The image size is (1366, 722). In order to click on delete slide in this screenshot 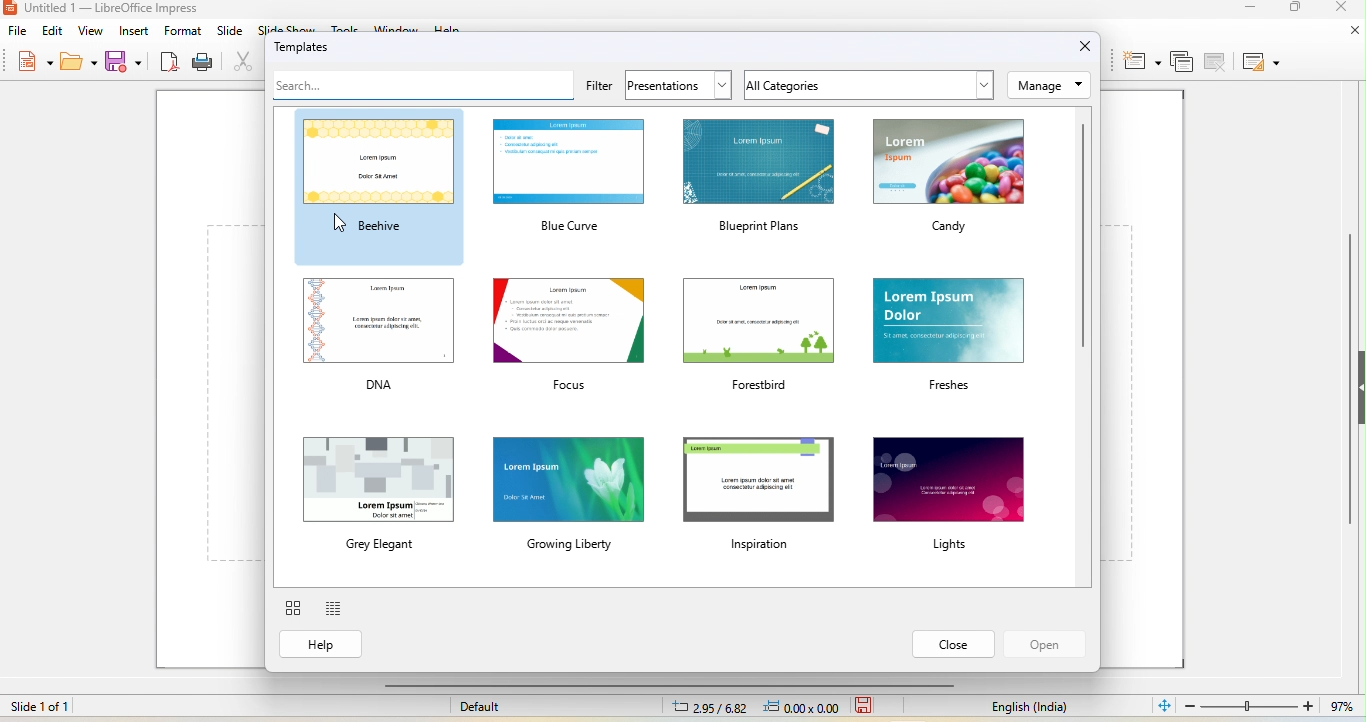, I will do `click(1215, 61)`.